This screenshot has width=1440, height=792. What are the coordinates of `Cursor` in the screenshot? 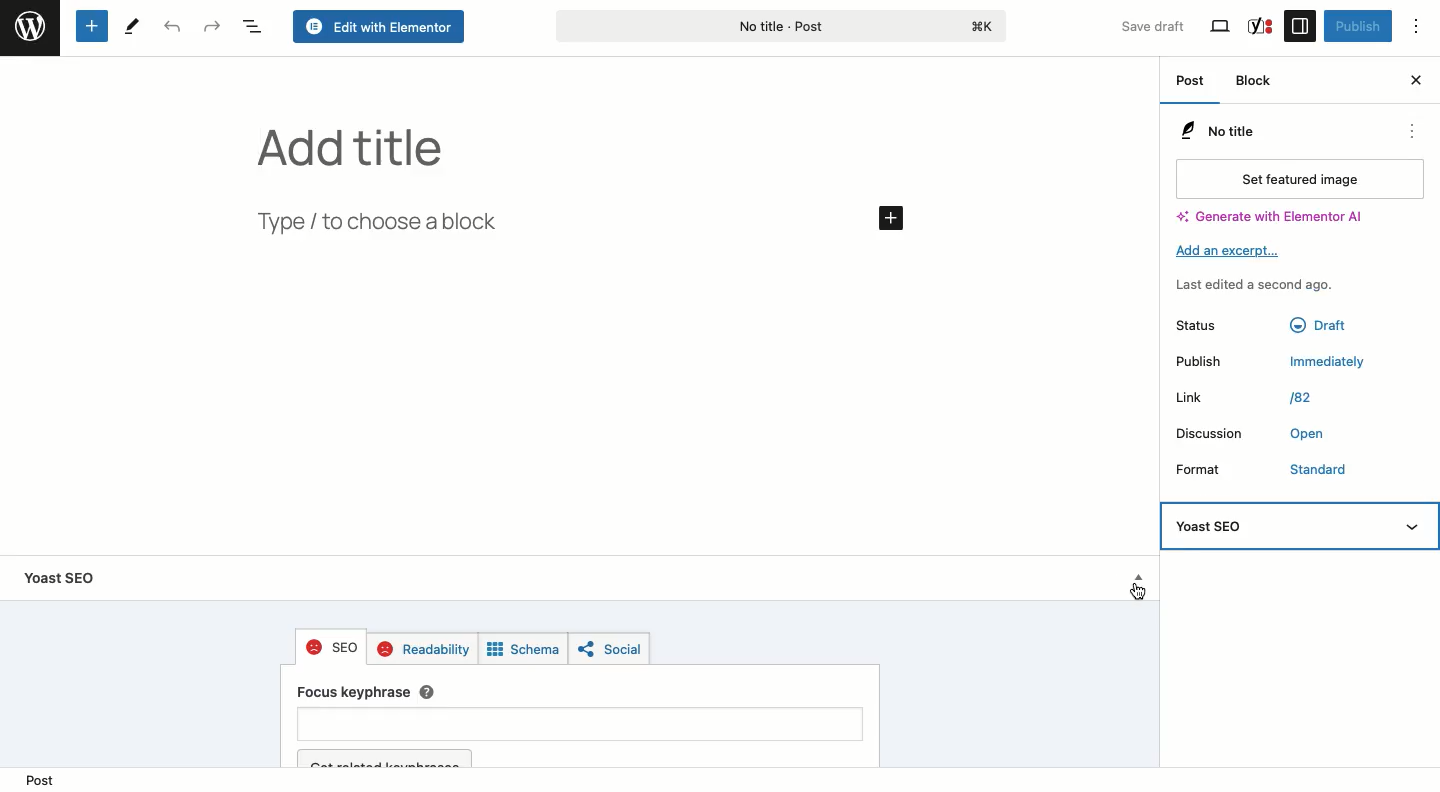 It's located at (1137, 592).